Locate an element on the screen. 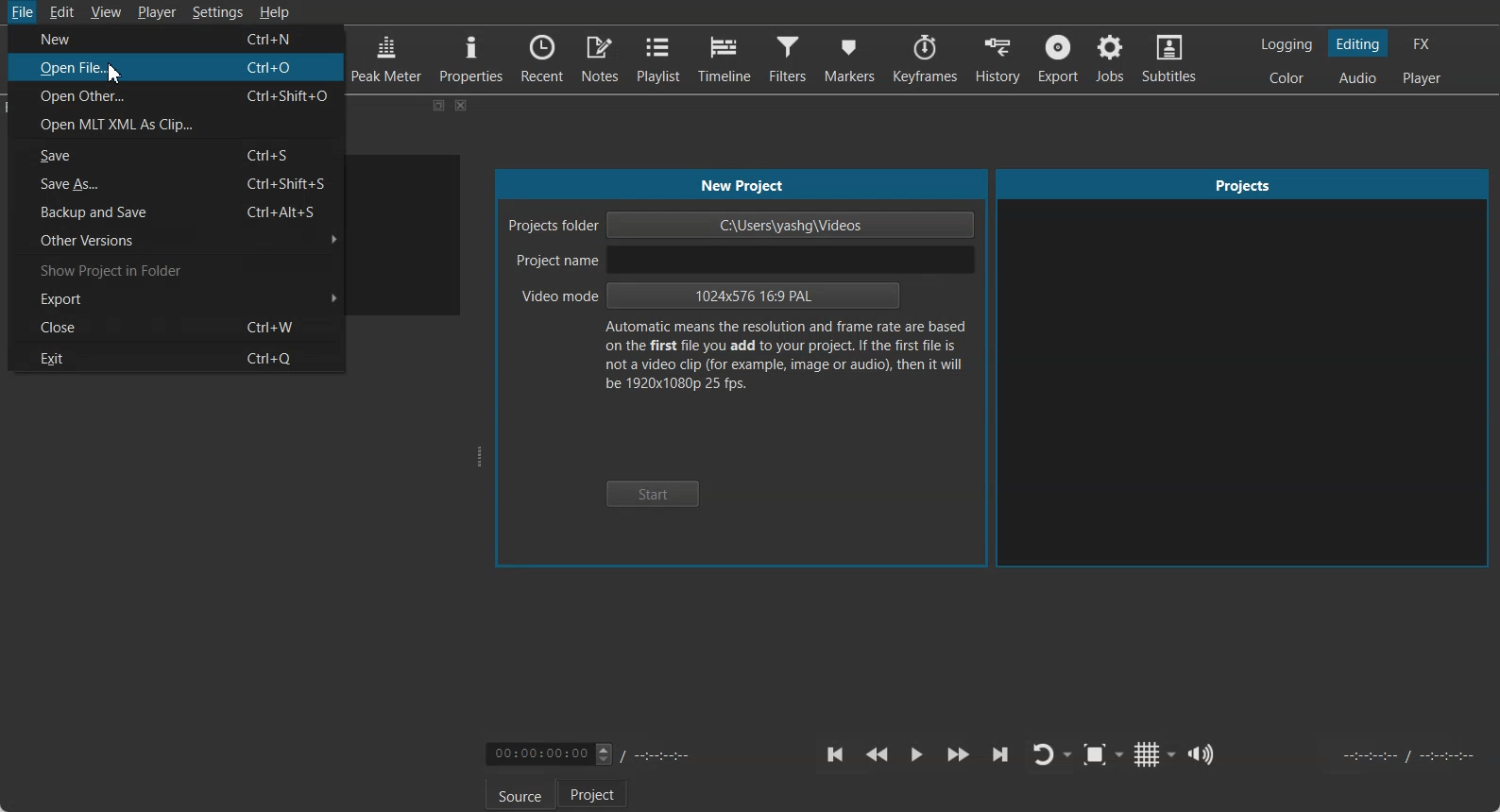 The width and height of the screenshot is (1500, 812). Playlist is located at coordinates (659, 58).